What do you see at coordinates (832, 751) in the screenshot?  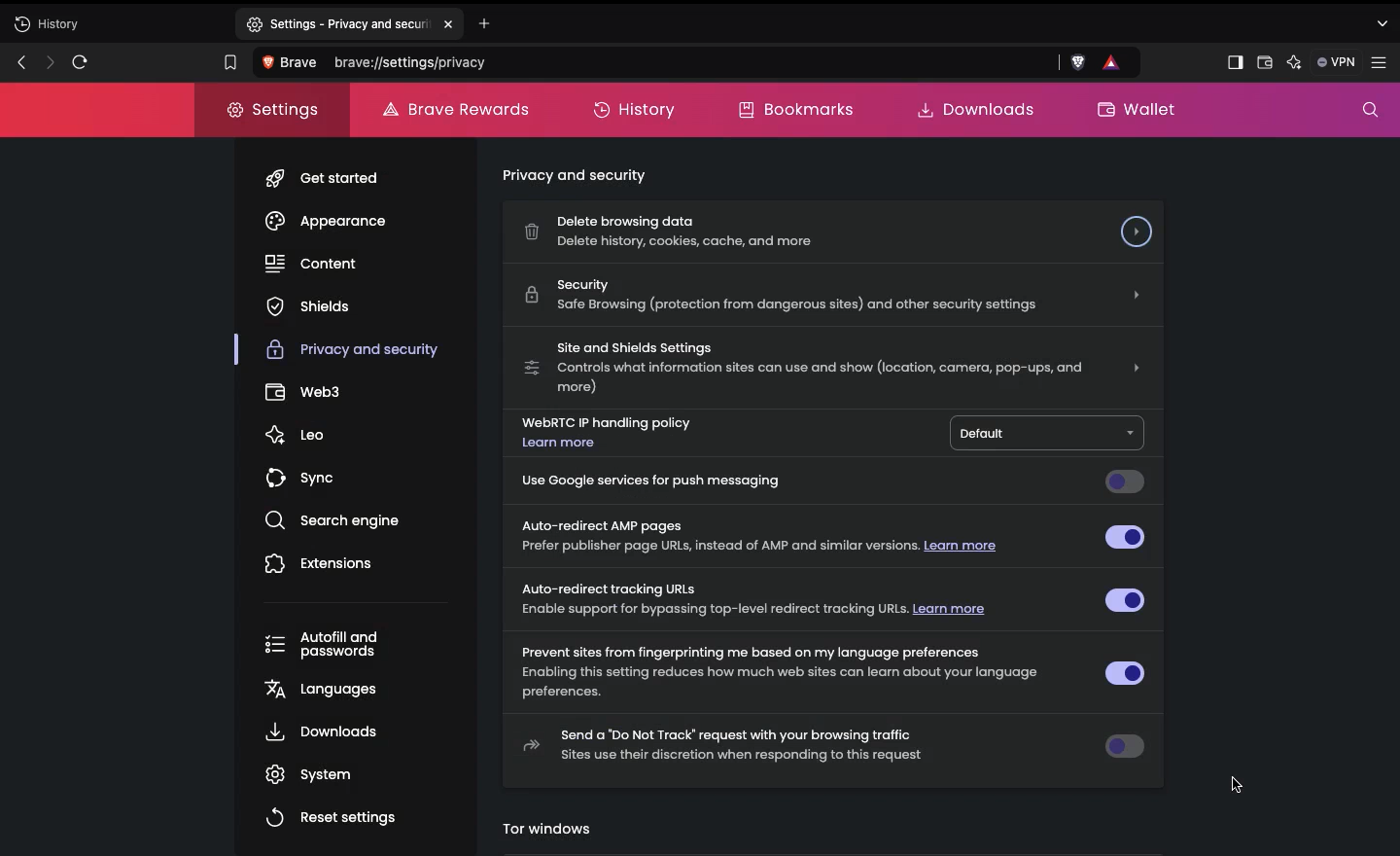 I see `Send to Do Not Track request with your browsing traffic` at bounding box center [832, 751].